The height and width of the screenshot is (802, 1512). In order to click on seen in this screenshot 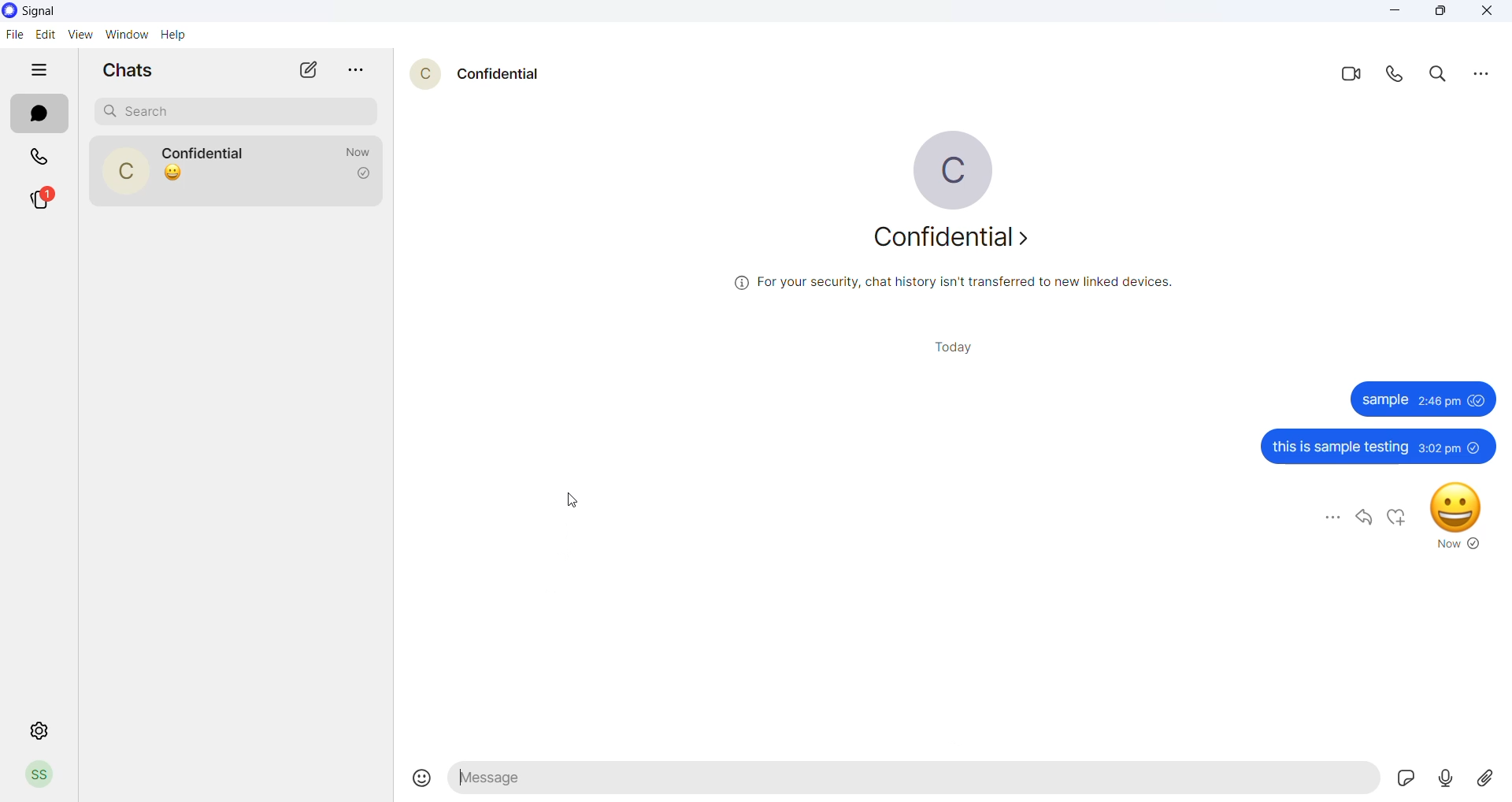, I will do `click(1477, 400)`.